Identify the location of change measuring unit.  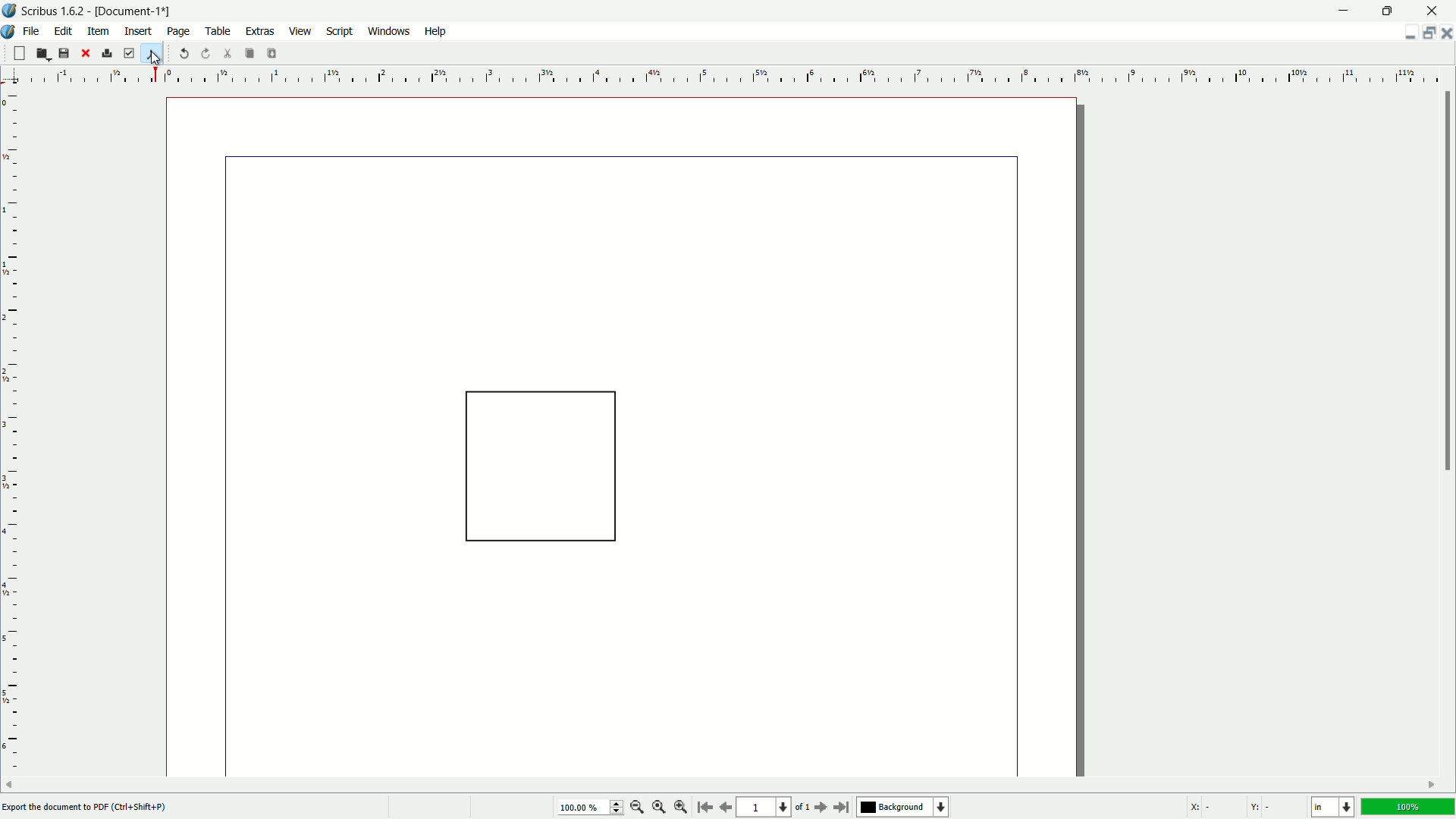
(1335, 808).